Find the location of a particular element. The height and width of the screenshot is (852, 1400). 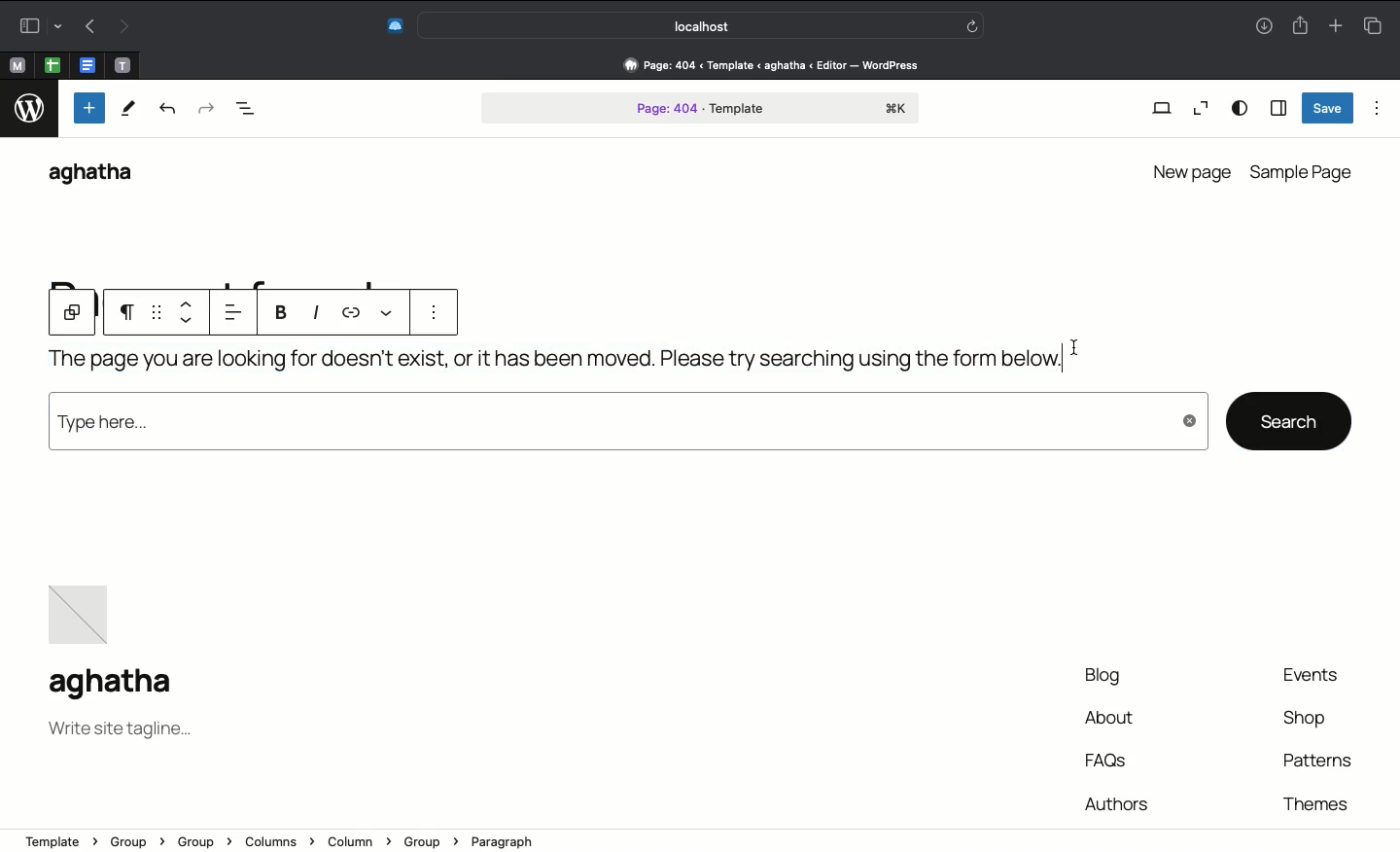

authors is located at coordinates (1116, 800).